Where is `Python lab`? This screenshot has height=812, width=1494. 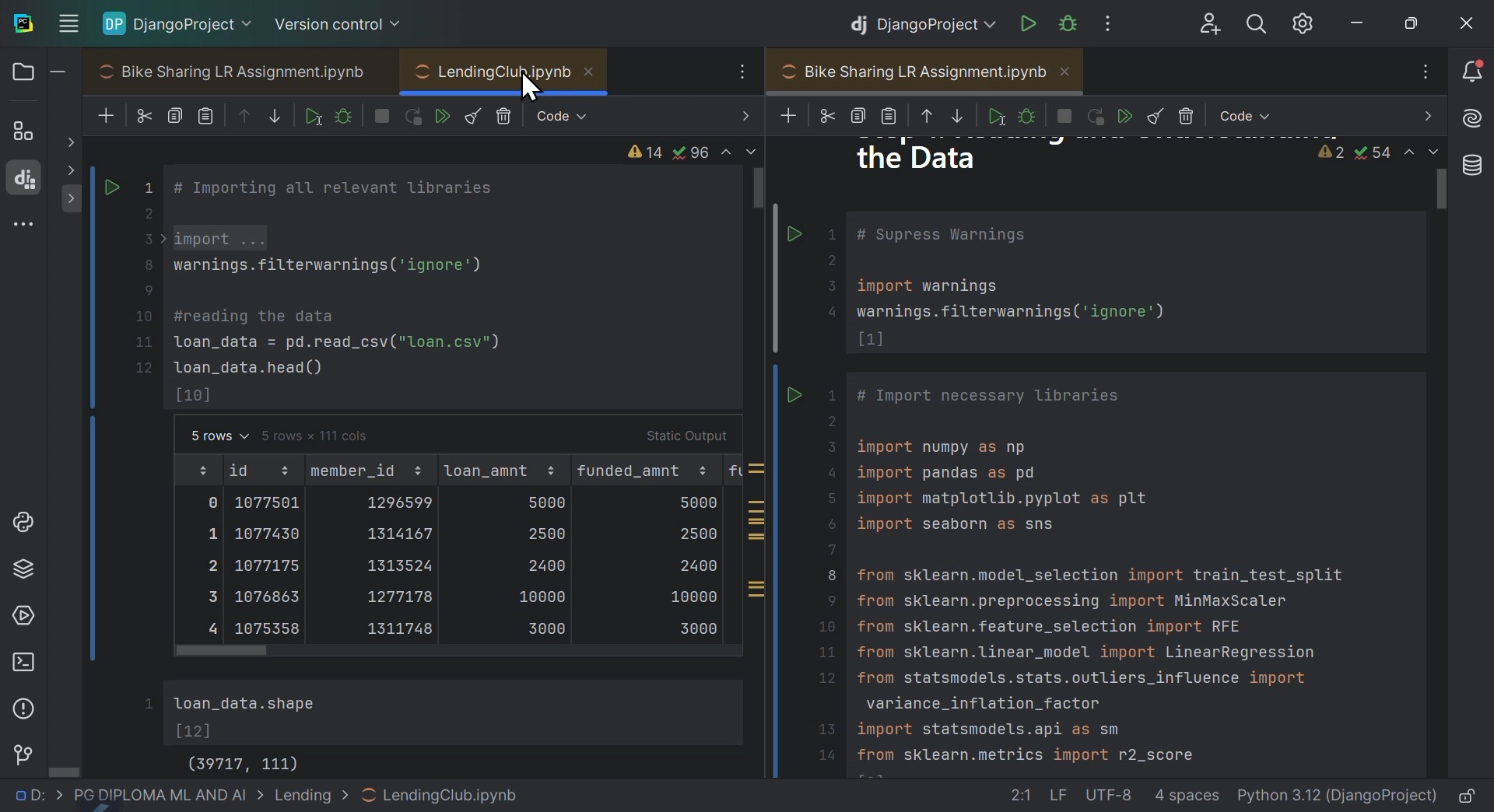 Python lab is located at coordinates (30, 514).